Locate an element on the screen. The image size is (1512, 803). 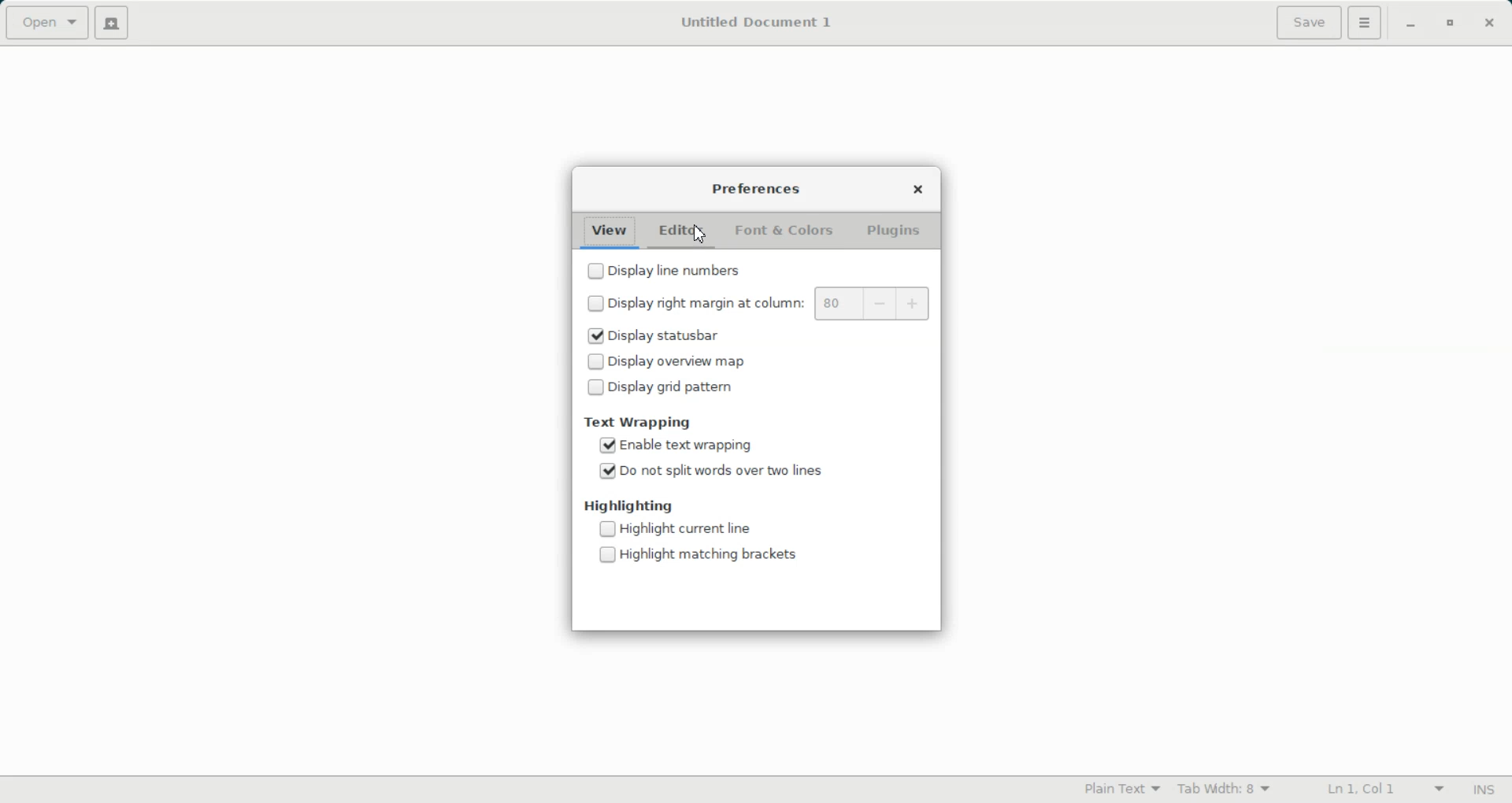
(un)check Enable text wrapping is located at coordinates (711, 446).